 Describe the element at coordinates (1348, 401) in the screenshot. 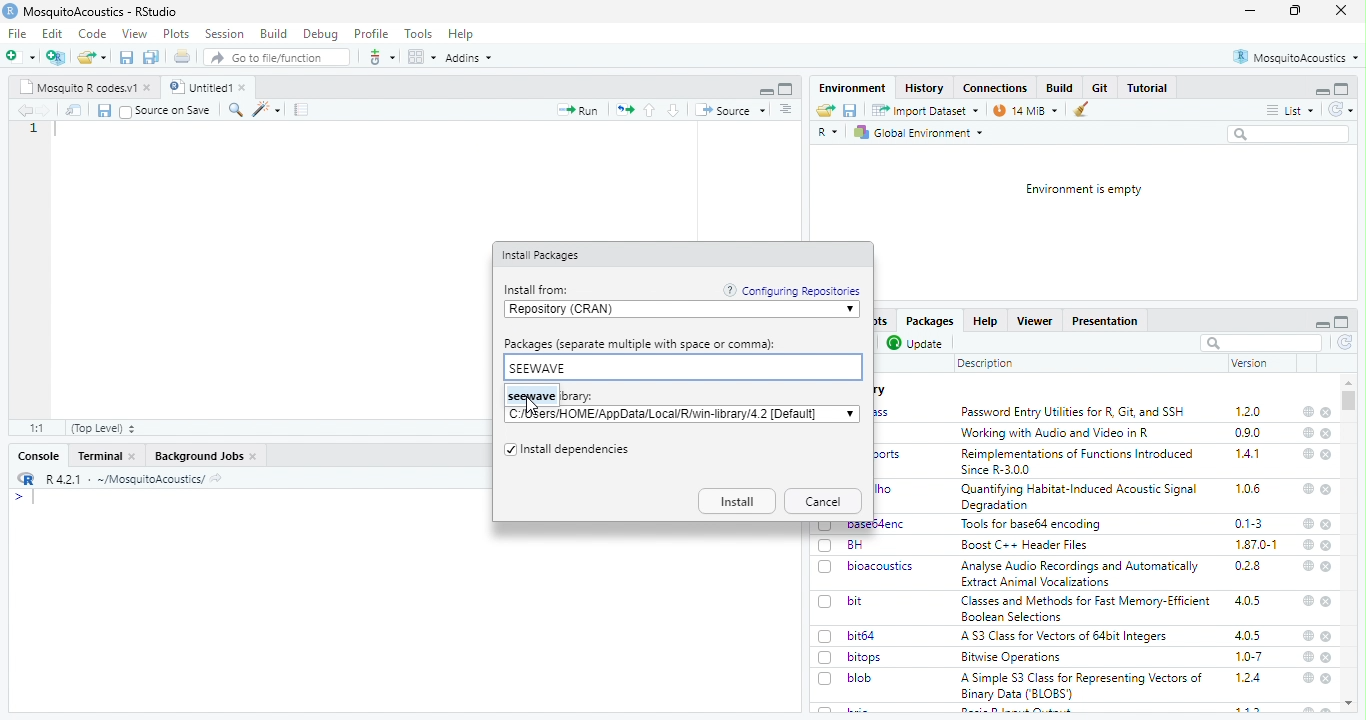

I see `scroll bar` at that location.